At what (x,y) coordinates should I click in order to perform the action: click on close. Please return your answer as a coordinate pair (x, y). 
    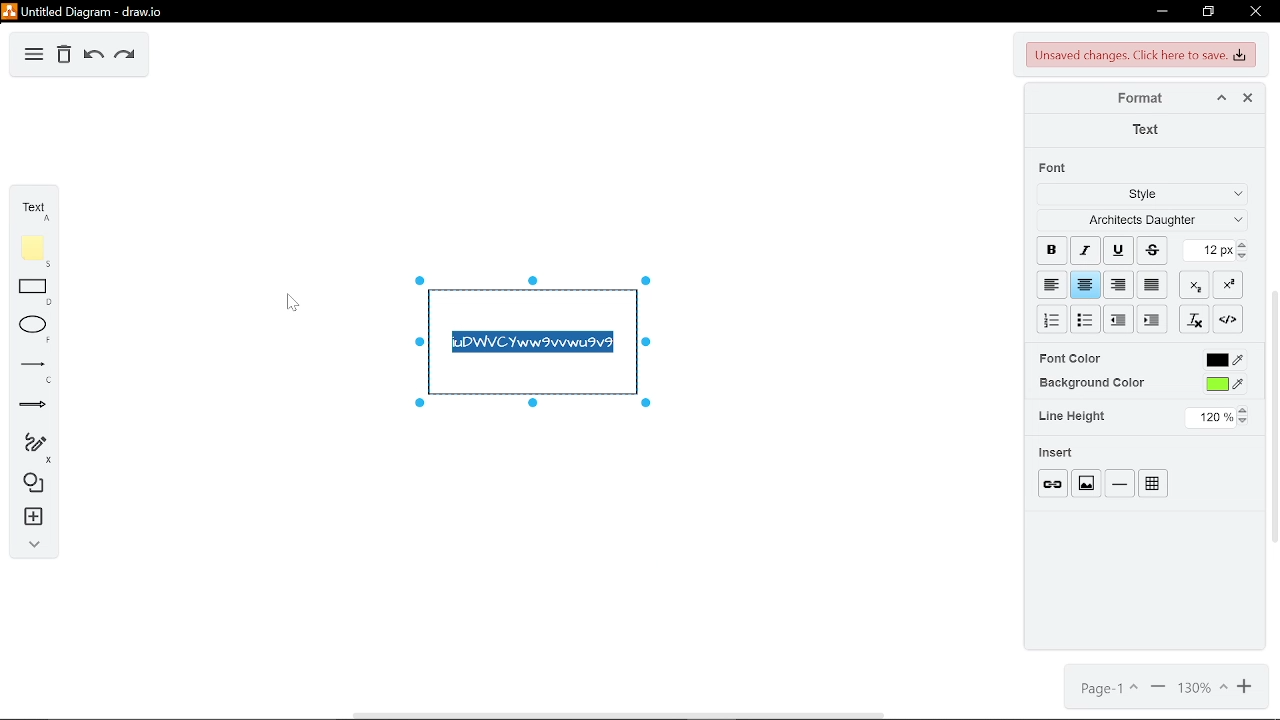
    Looking at the image, I should click on (1255, 11).